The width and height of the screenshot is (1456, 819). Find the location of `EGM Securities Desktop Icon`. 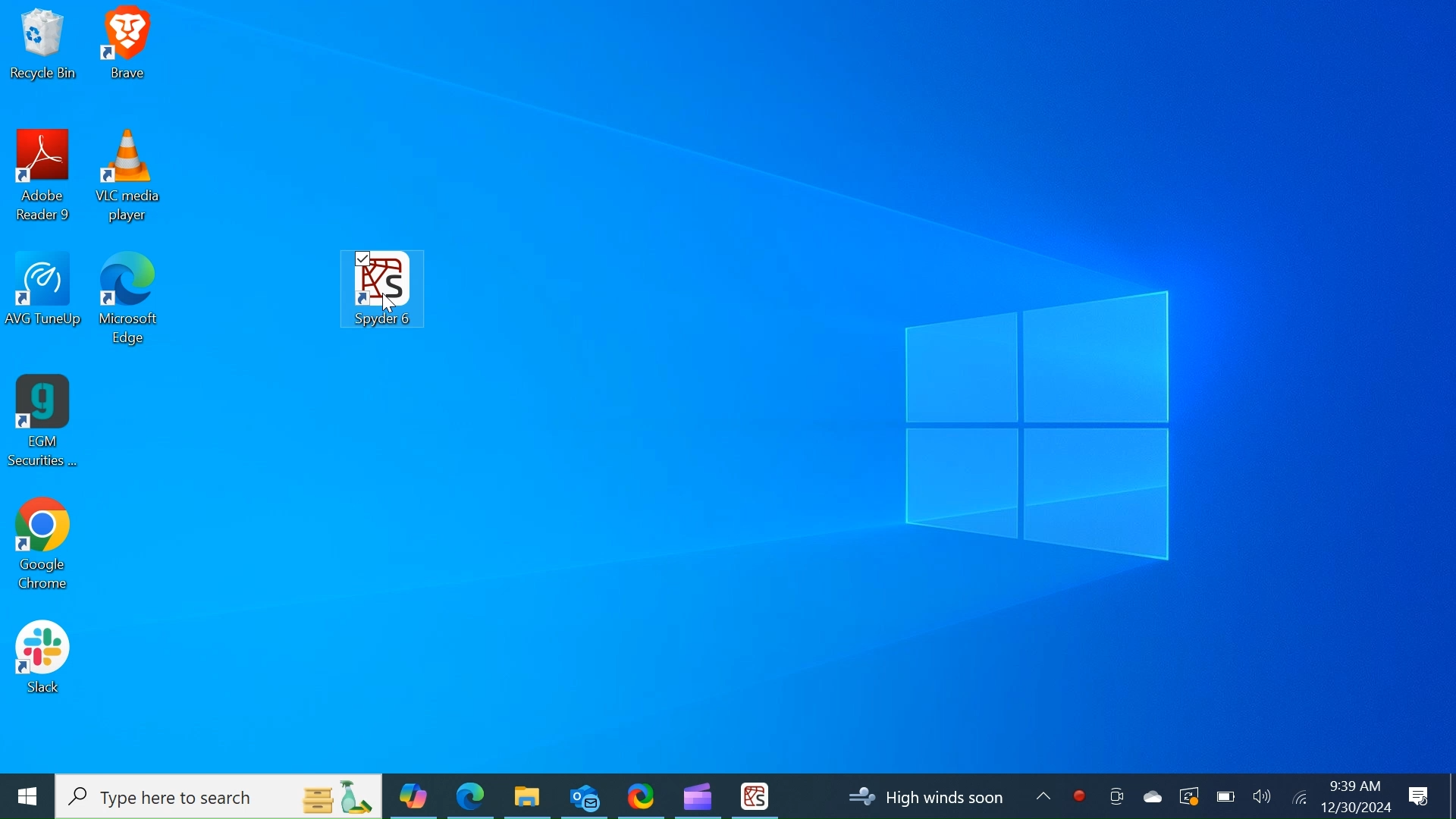

EGM Securities Desktop Icon is located at coordinates (42, 422).